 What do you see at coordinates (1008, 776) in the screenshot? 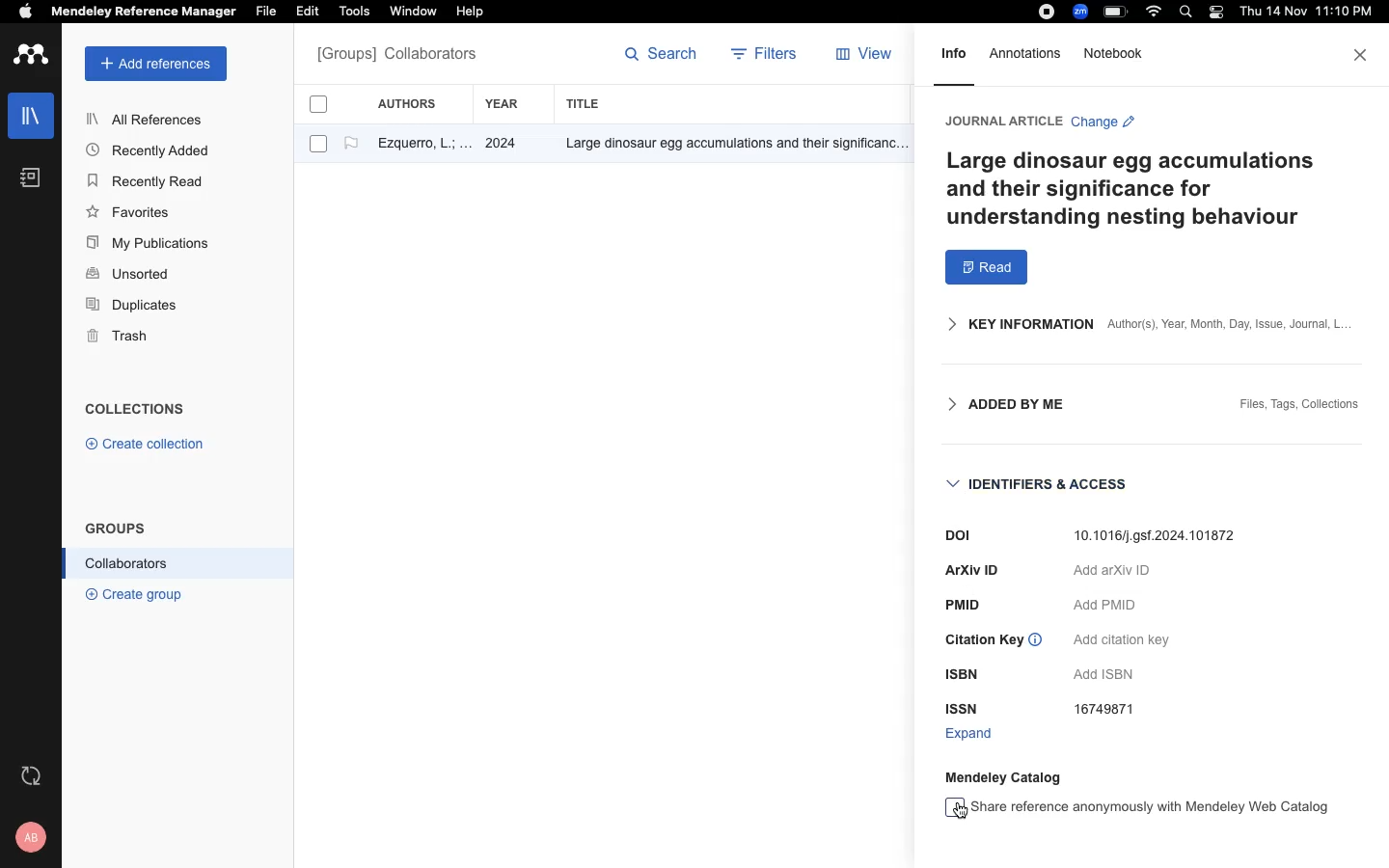
I see `Mendeley Catalog` at bounding box center [1008, 776].